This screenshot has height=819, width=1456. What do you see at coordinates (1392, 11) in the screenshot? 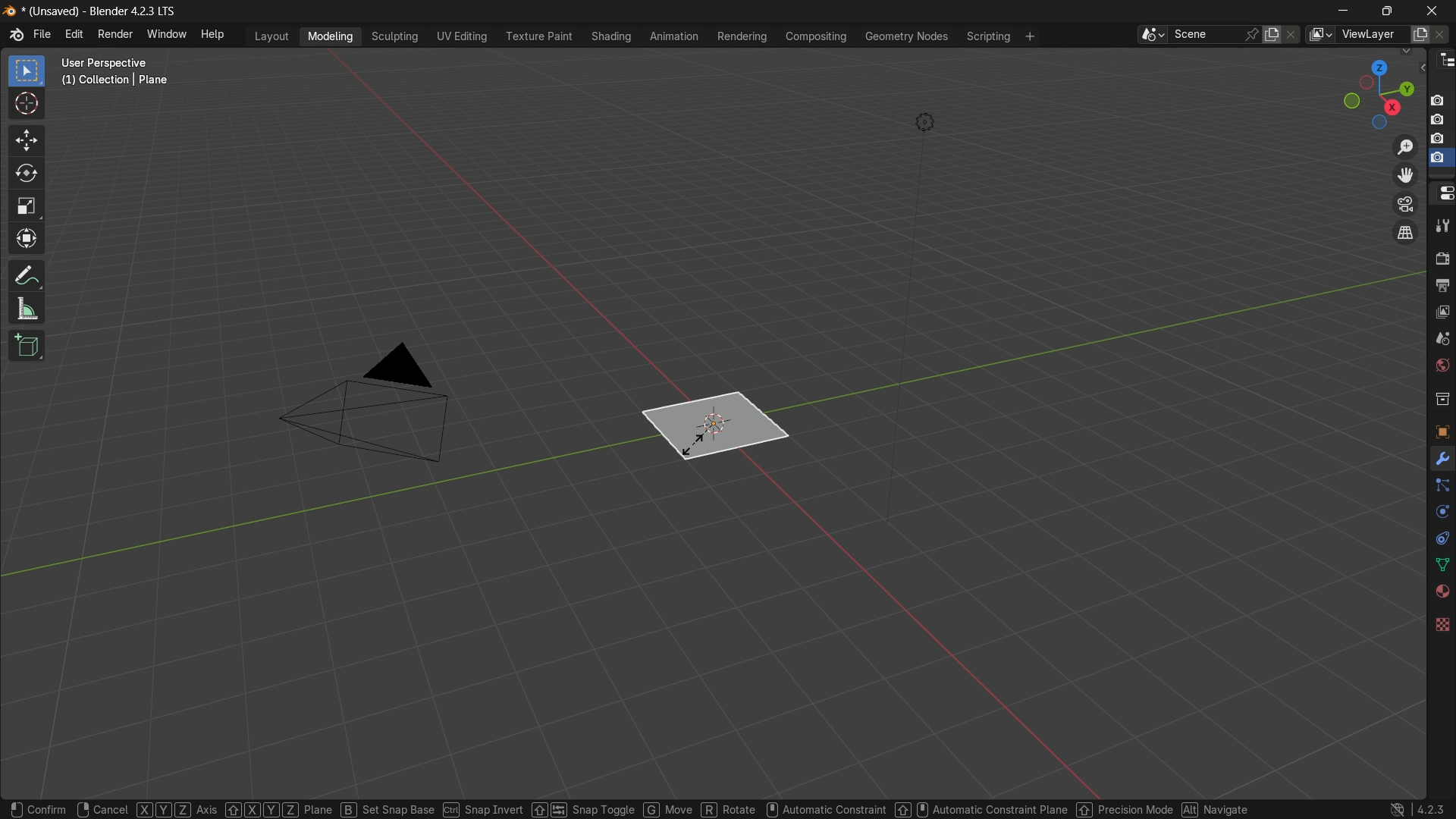
I see `maximize or restore` at bounding box center [1392, 11].